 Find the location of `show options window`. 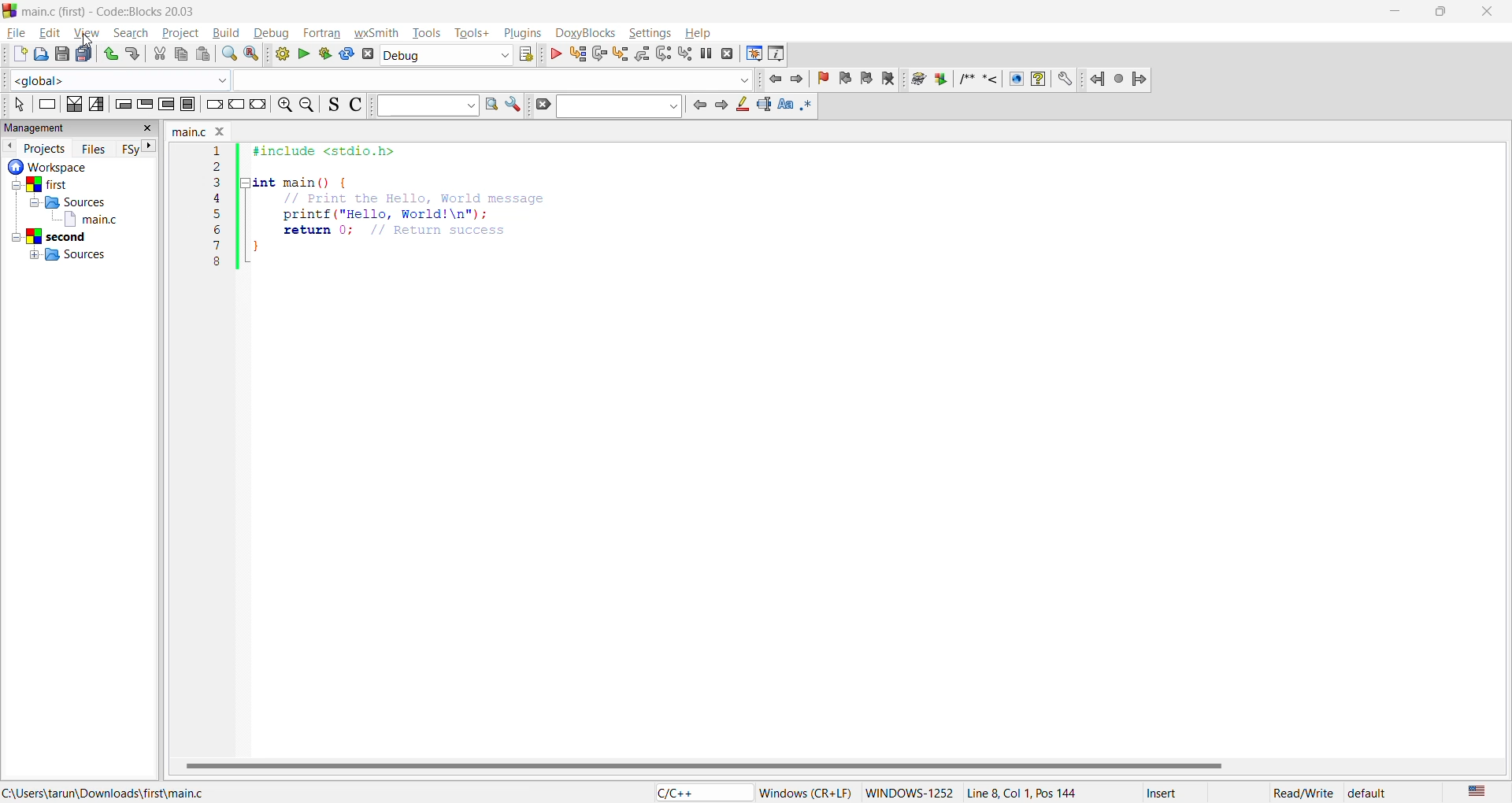

show options window is located at coordinates (514, 105).